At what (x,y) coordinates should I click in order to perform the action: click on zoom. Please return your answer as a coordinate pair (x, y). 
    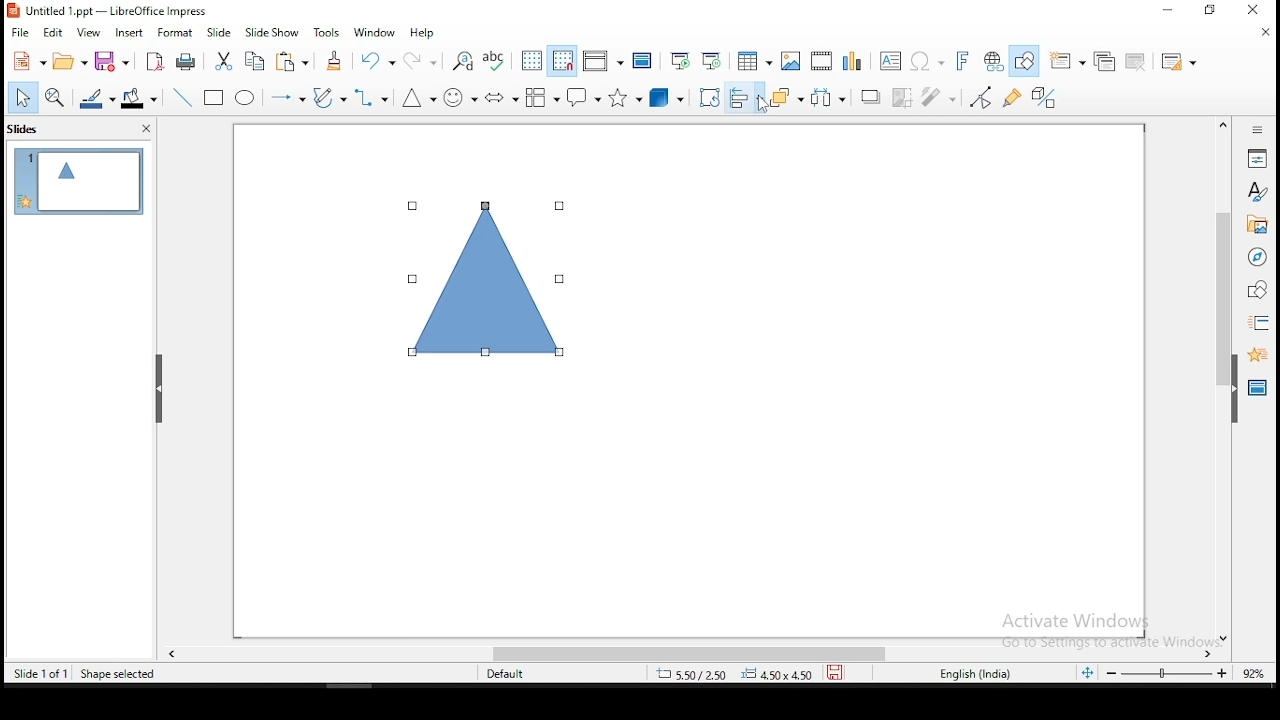
    Looking at the image, I should click on (1187, 674).